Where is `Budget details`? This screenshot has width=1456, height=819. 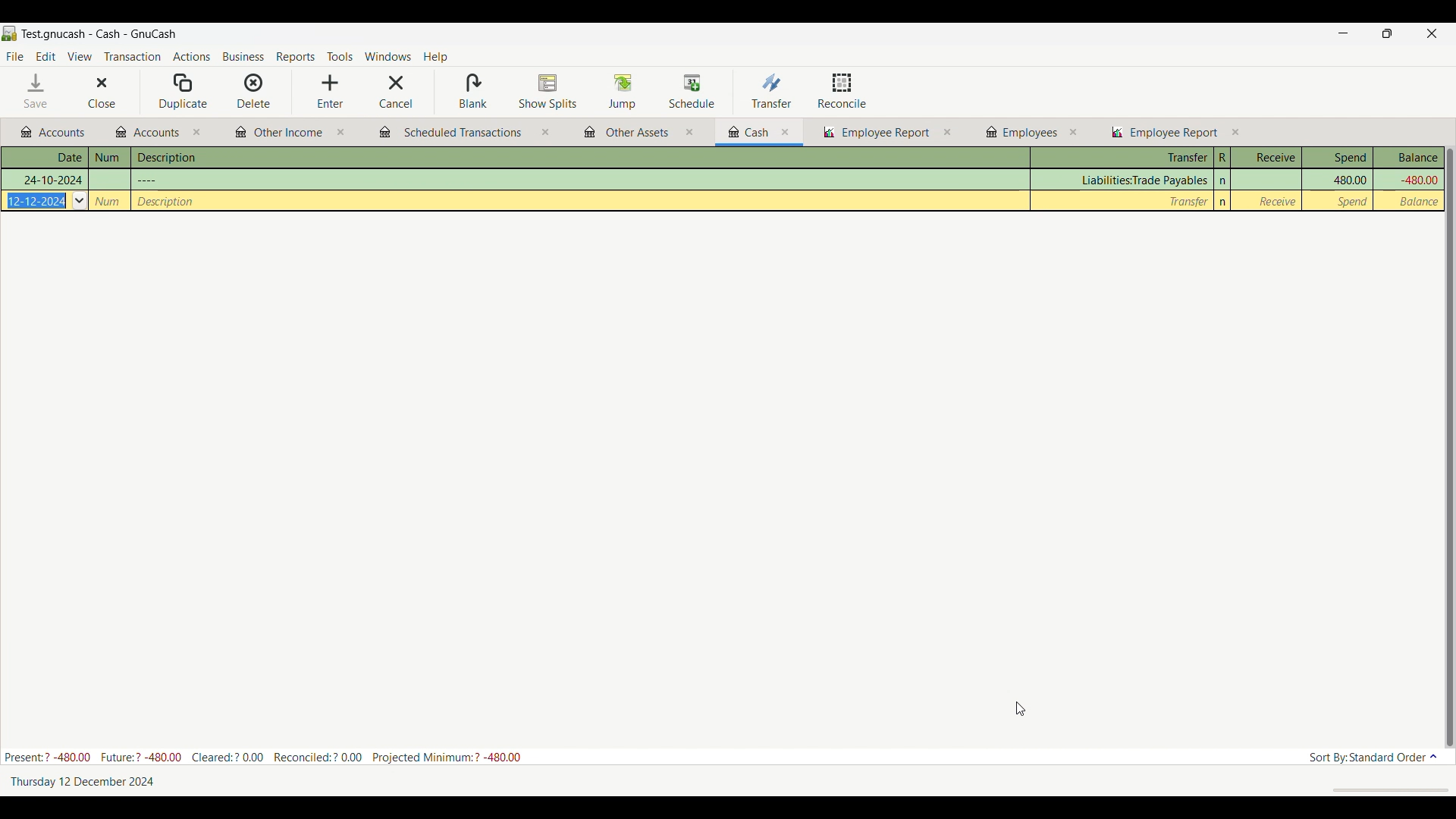 Budget details is located at coordinates (262, 757).